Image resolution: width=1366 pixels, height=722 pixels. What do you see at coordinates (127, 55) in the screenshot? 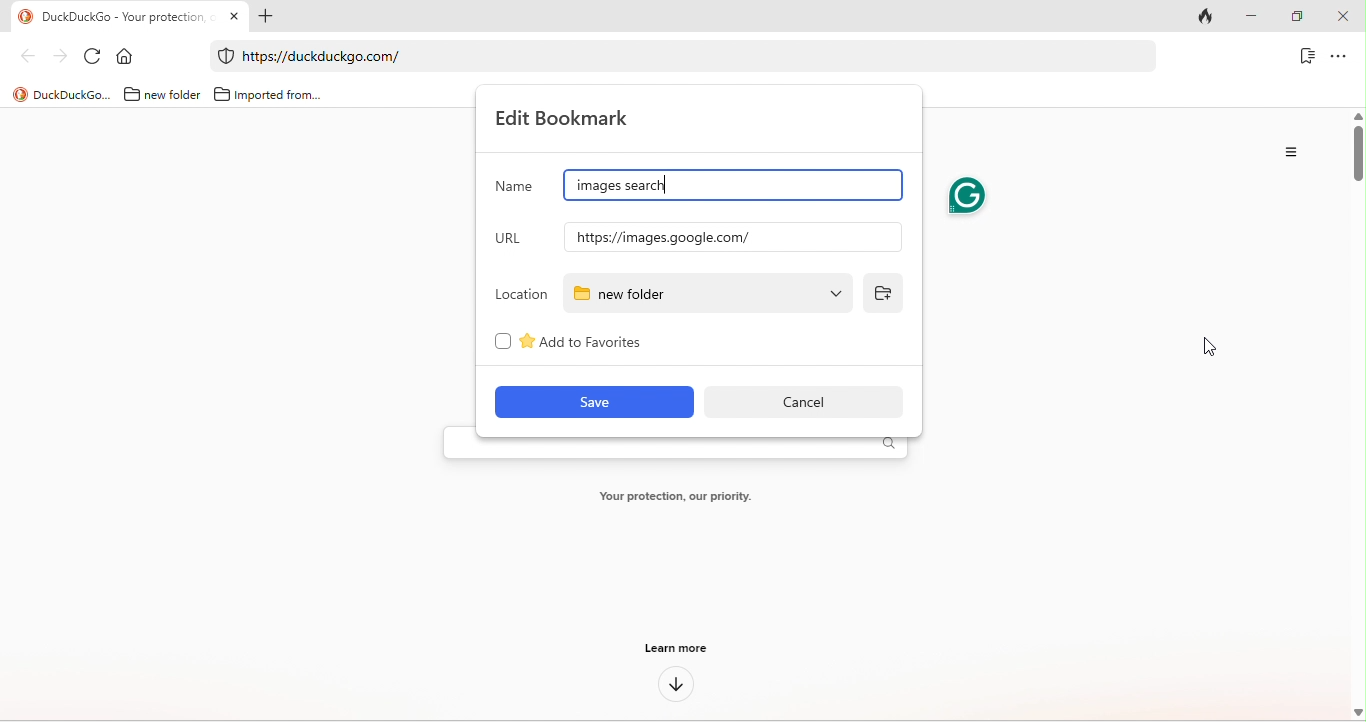
I see `home` at bounding box center [127, 55].